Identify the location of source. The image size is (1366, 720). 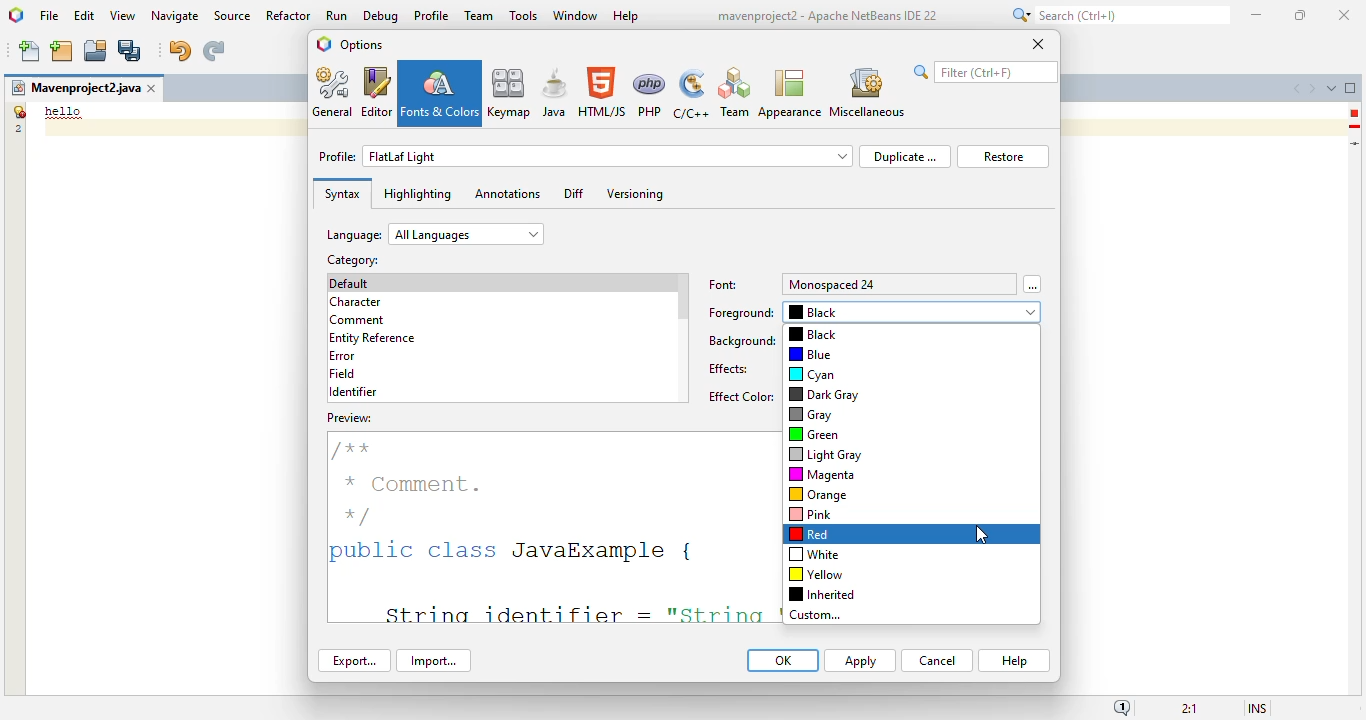
(232, 16).